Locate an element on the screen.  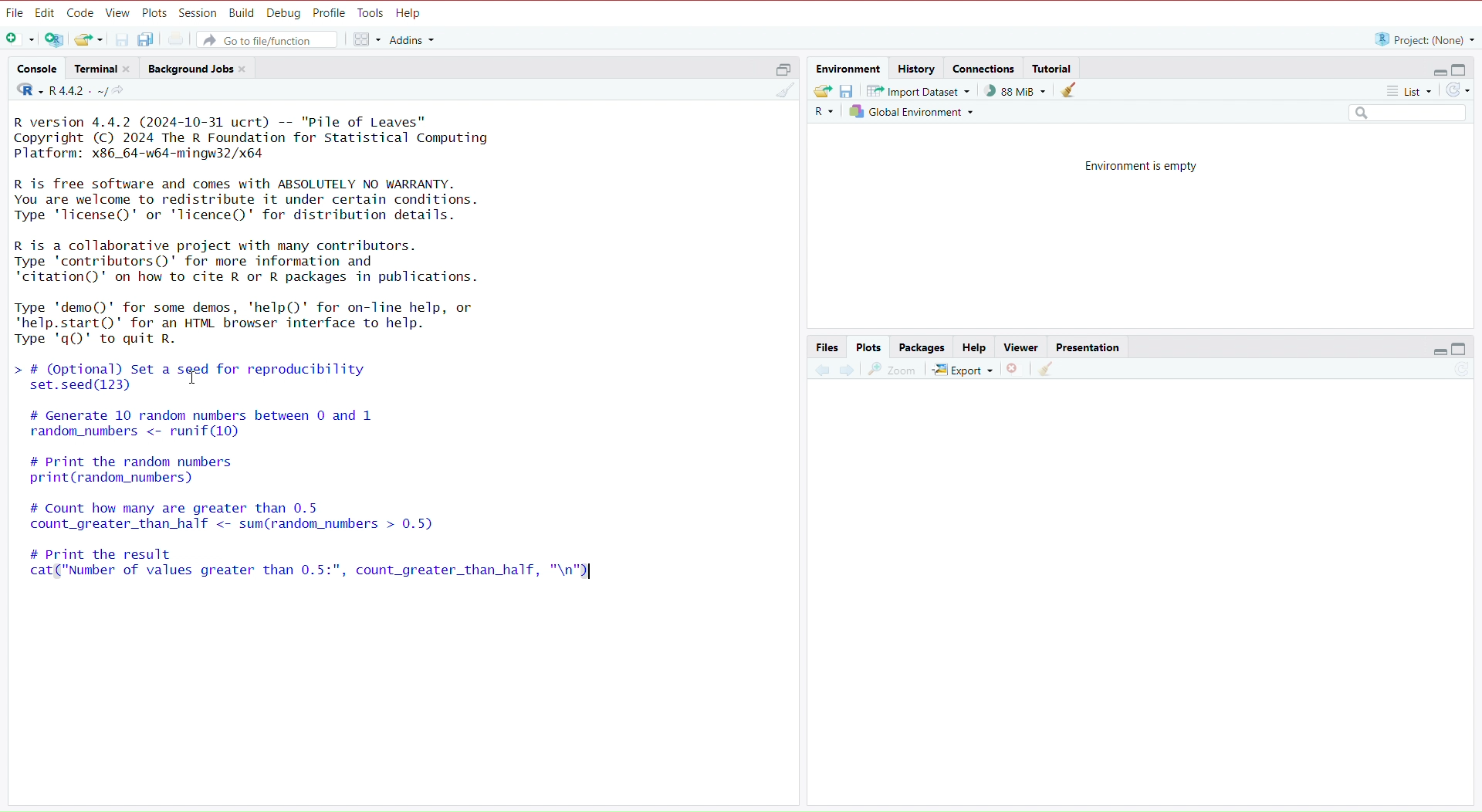
Export is located at coordinates (963, 370).